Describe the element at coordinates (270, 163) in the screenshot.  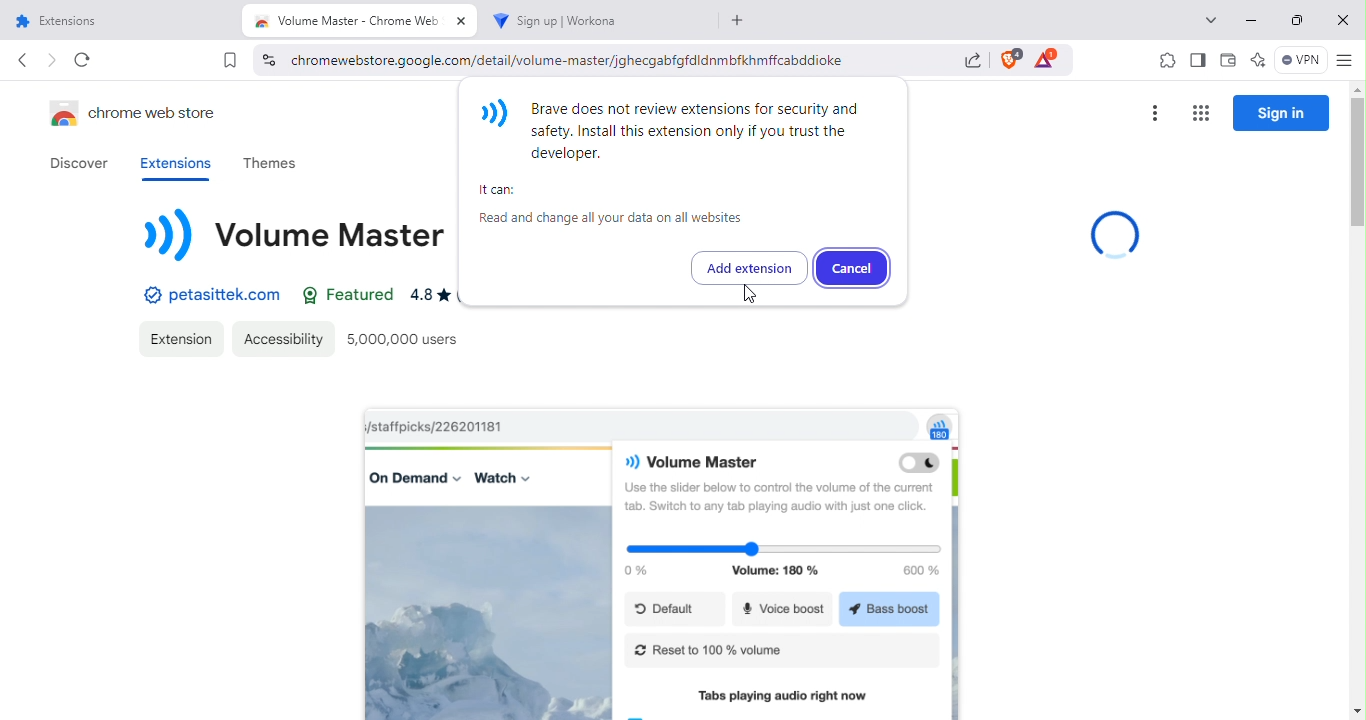
I see `themes` at that location.